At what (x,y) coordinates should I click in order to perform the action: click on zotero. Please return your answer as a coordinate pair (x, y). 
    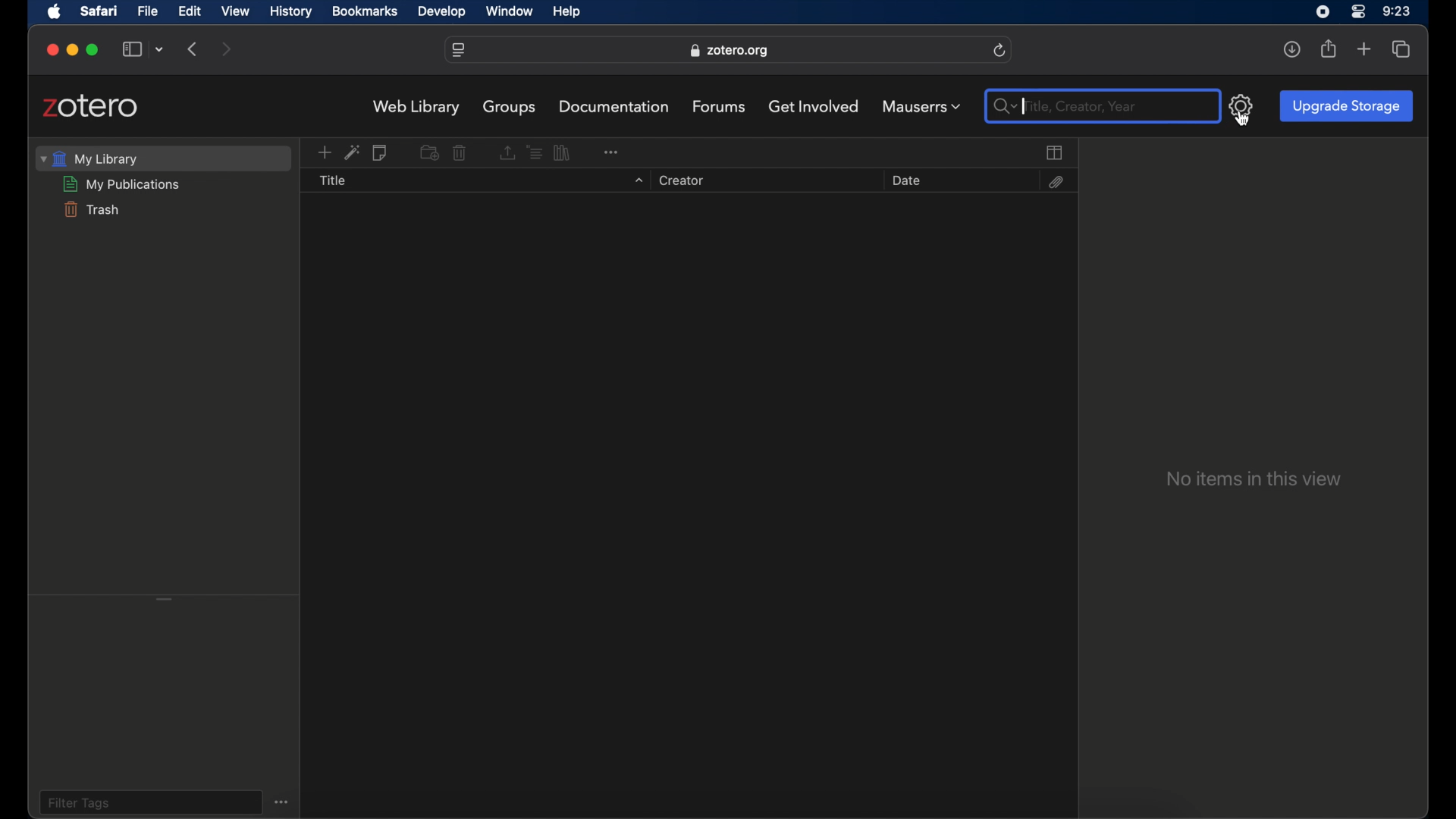
    Looking at the image, I should click on (91, 106).